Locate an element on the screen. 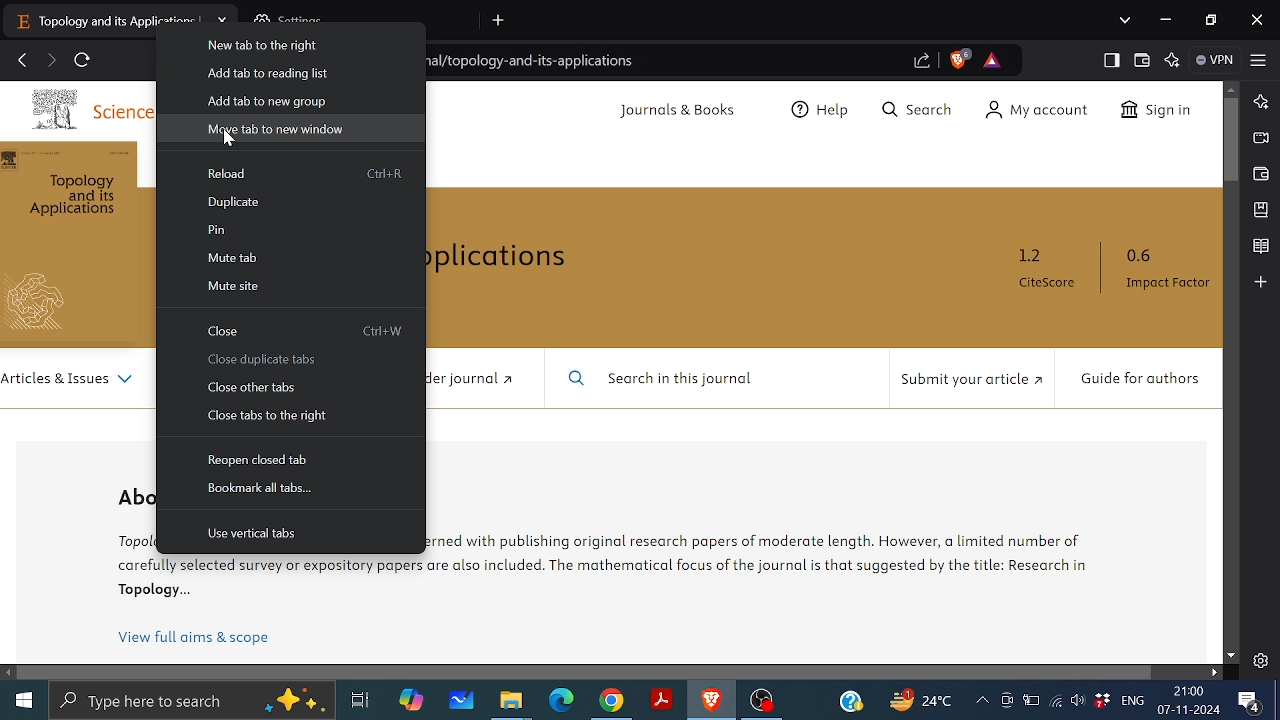  Share link is located at coordinates (921, 60).